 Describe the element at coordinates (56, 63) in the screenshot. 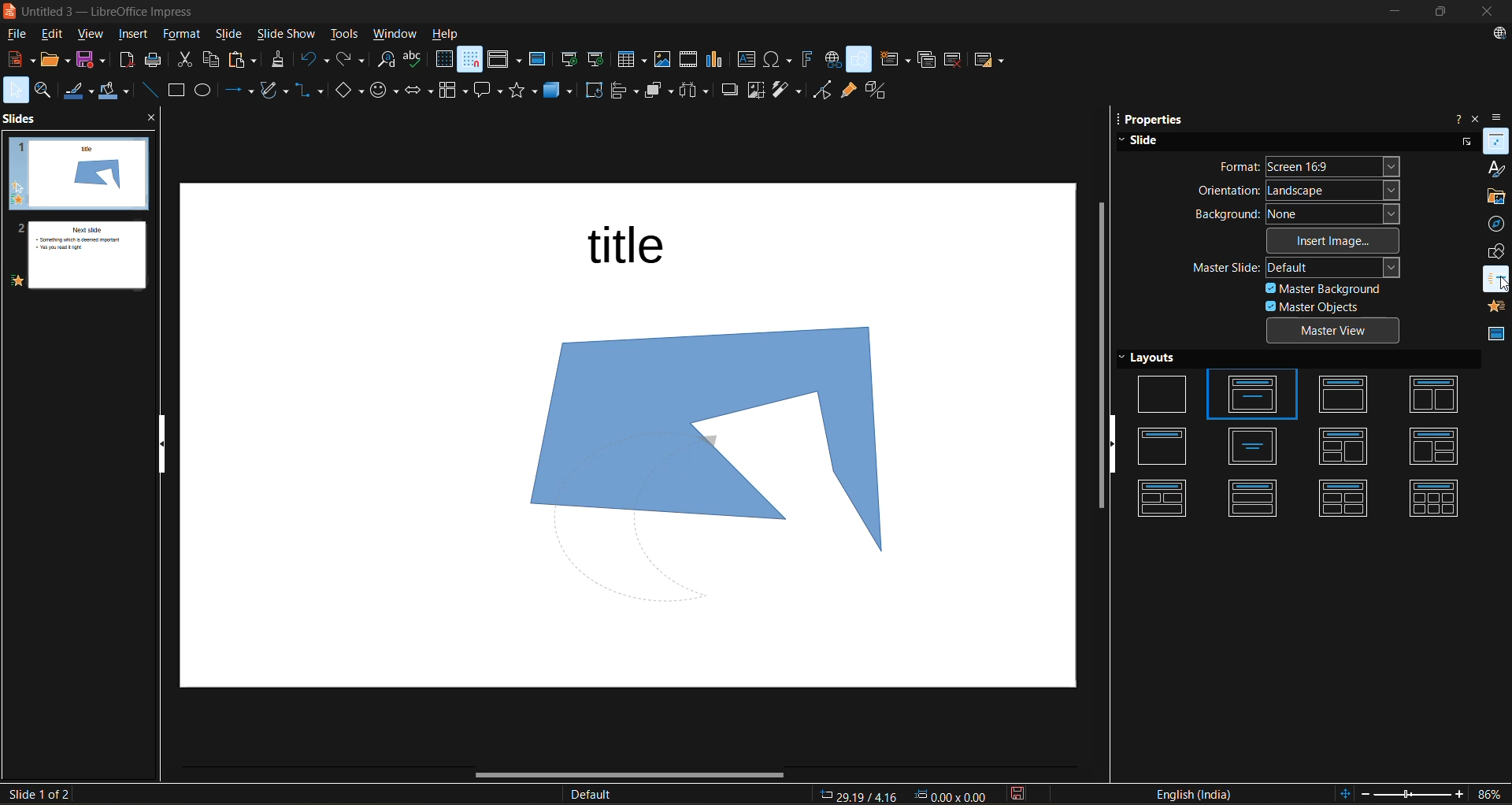

I see `open` at that location.